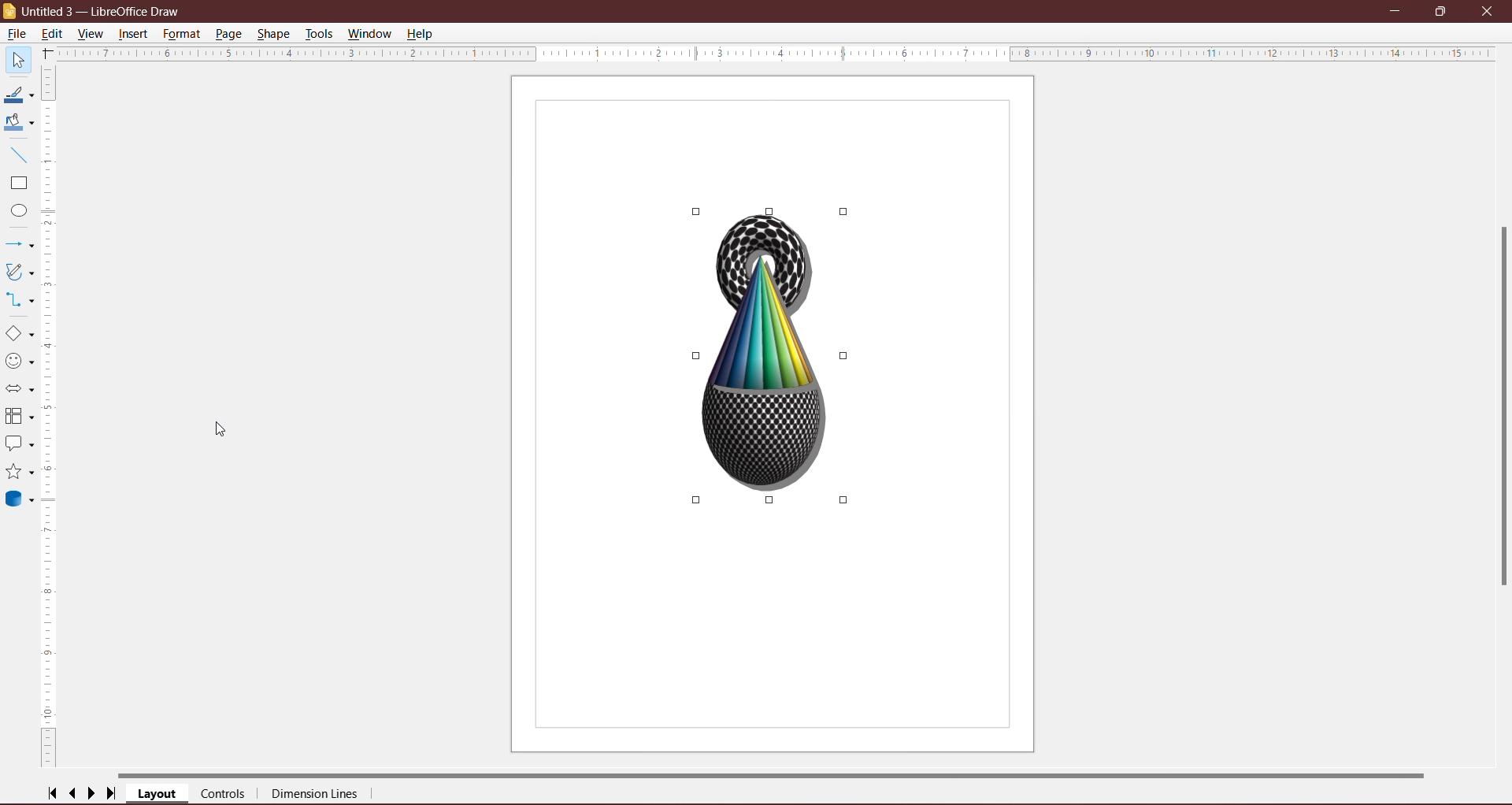  Describe the element at coordinates (16, 210) in the screenshot. I see `Ellipse` at that location.